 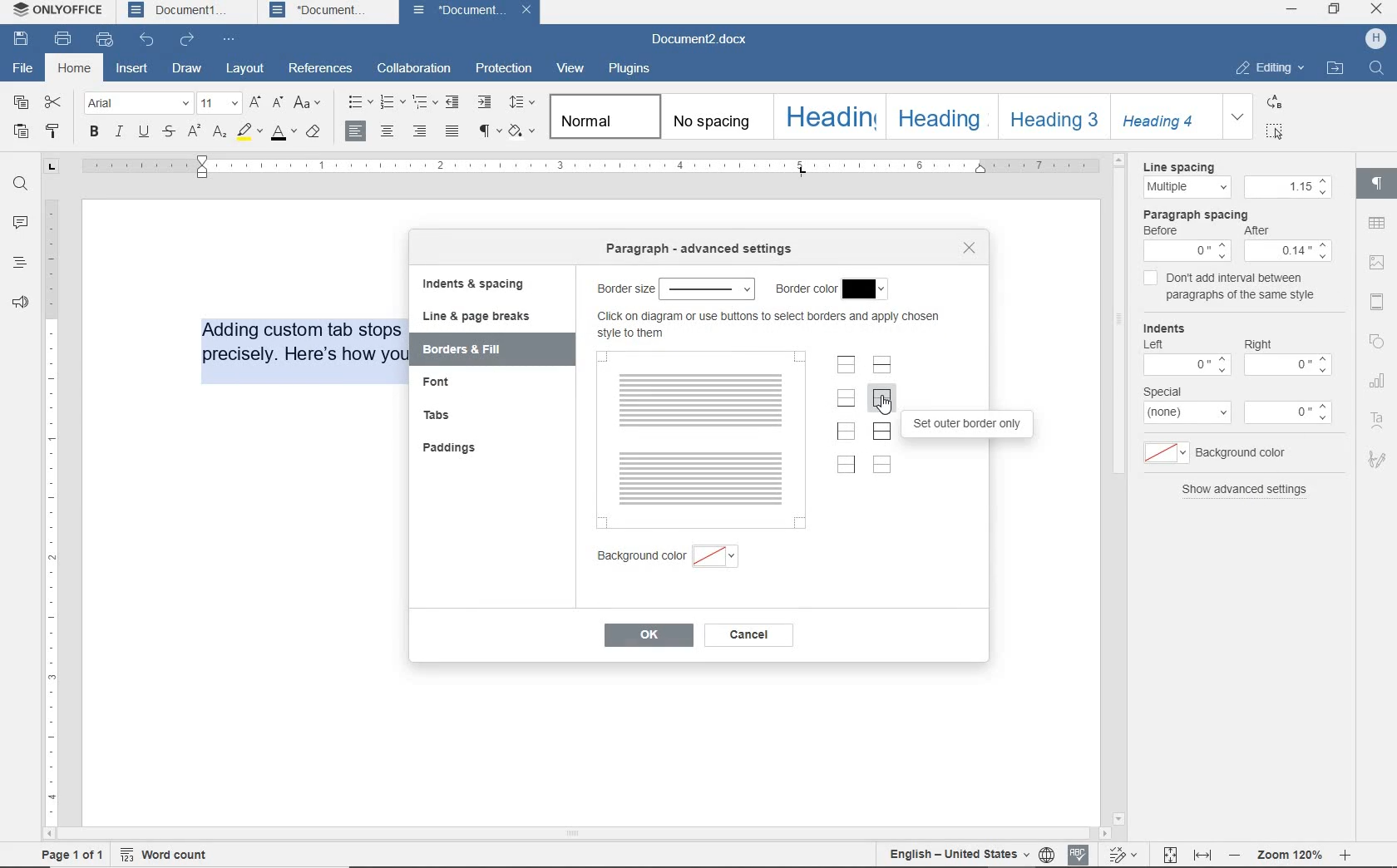 What do you see at coordinates (521, 131) in the screenshot?
I see `shading` at bounding box center [521, 131].